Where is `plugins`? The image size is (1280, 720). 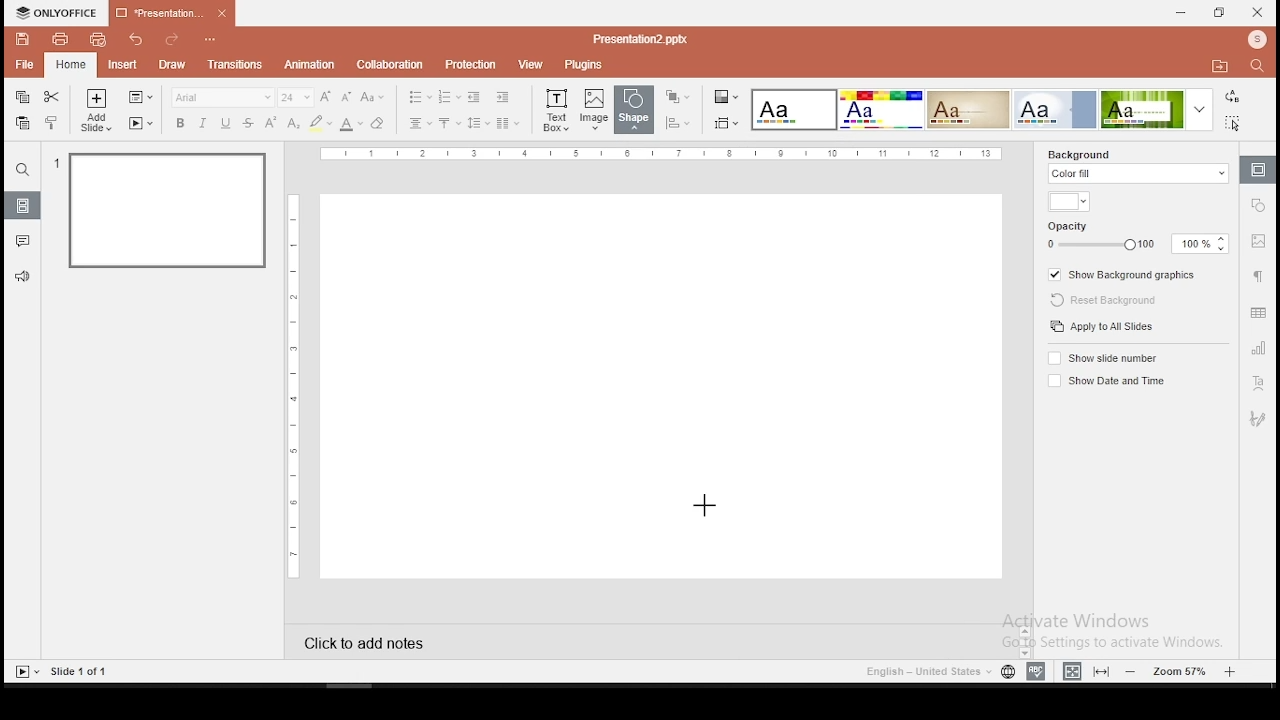 plugins is located at coordinates (584, 66).